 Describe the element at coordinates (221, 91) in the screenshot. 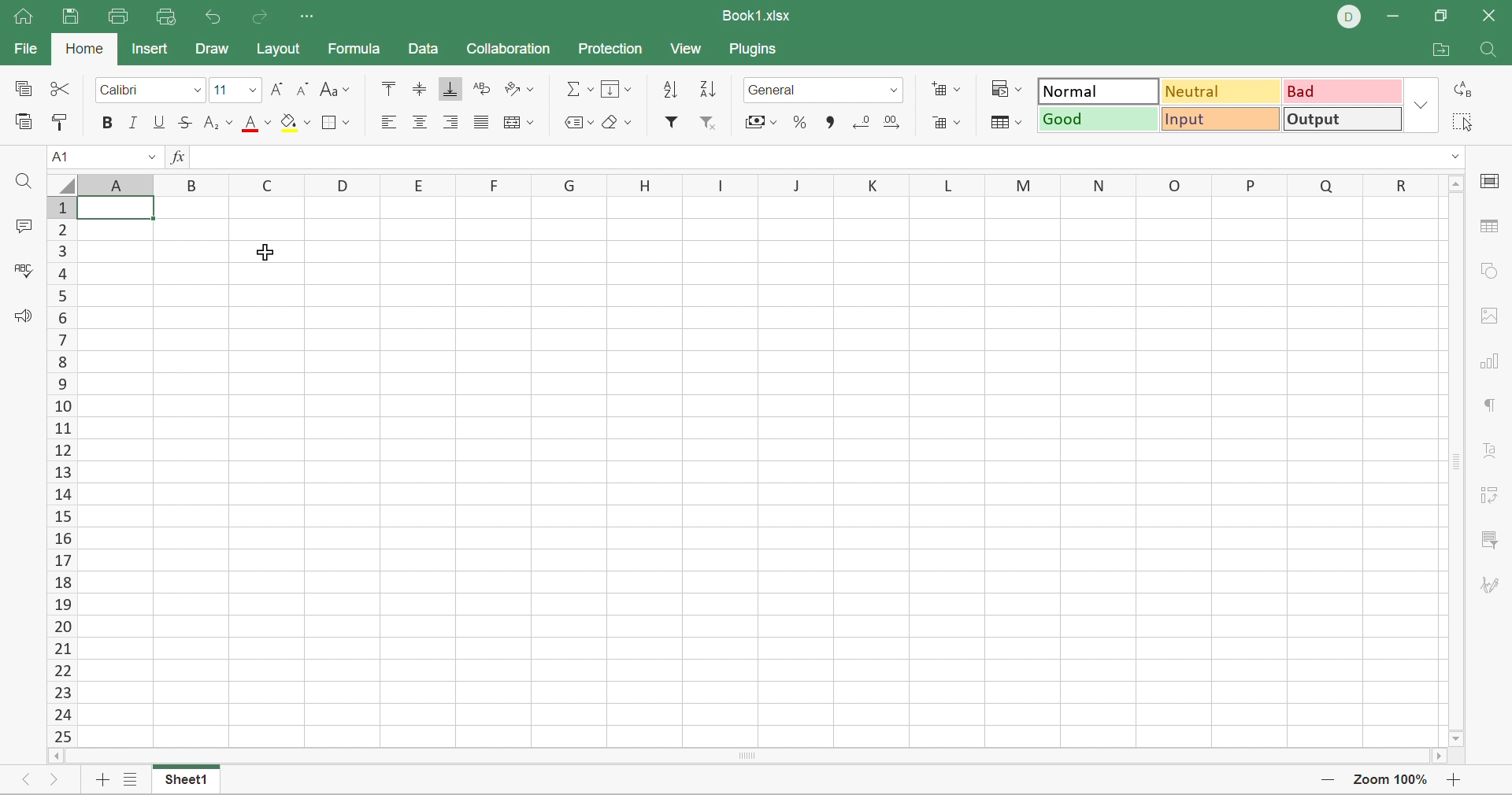

I see `Font size` at that location.